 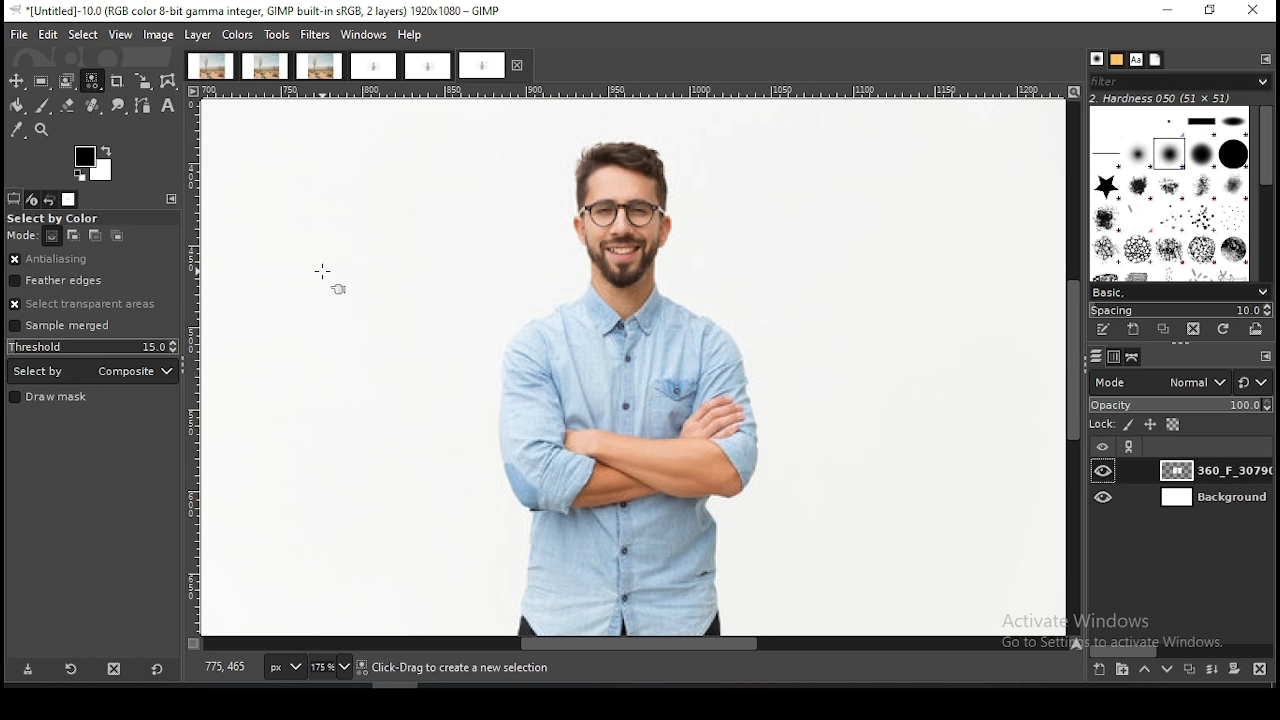 What do you see at coordinates (173, 198) in the screenshot?
I see `configure this tab` at bounding box center [173, 198].